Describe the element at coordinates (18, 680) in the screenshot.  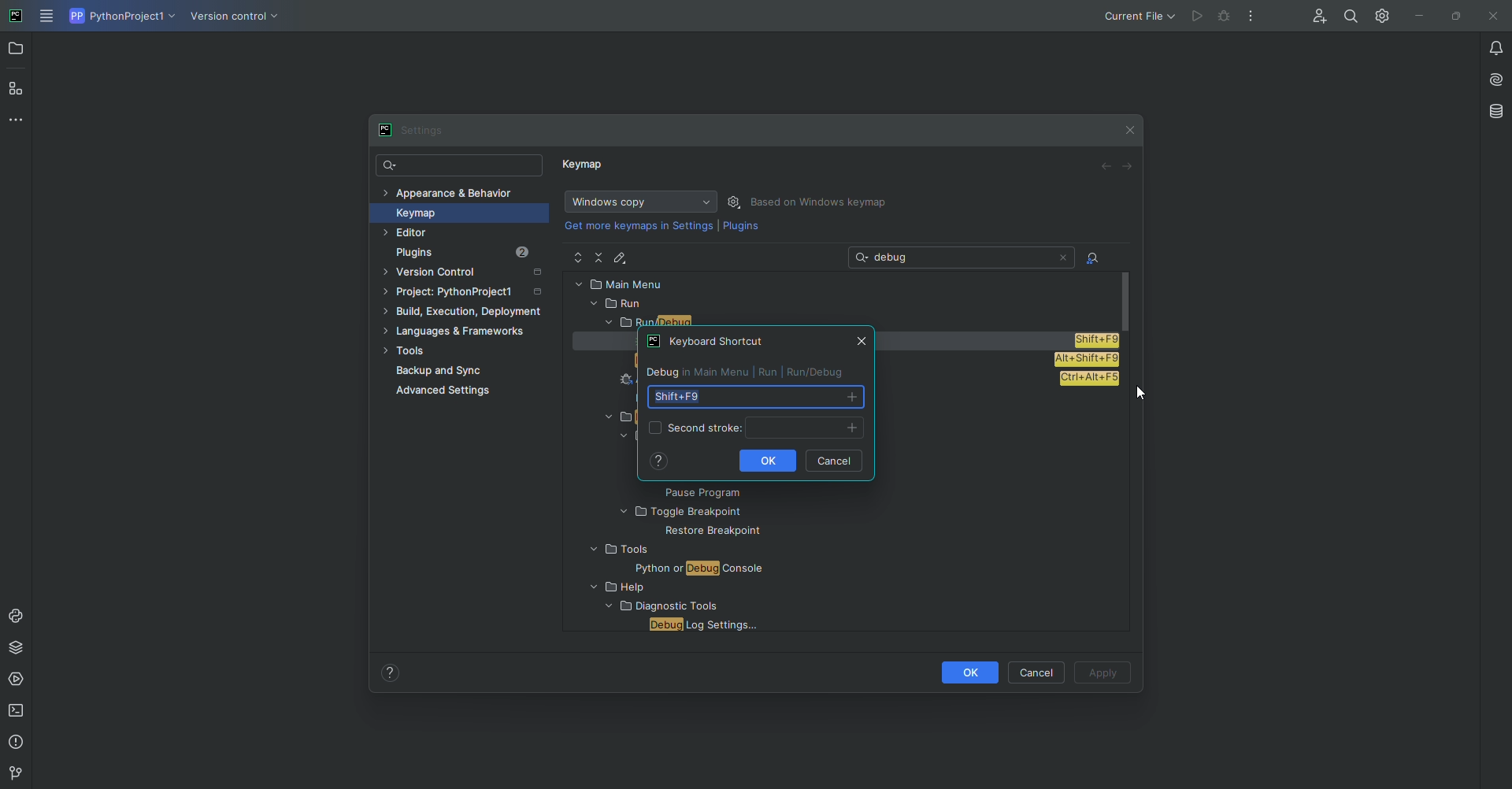
I see `Services` at that location.